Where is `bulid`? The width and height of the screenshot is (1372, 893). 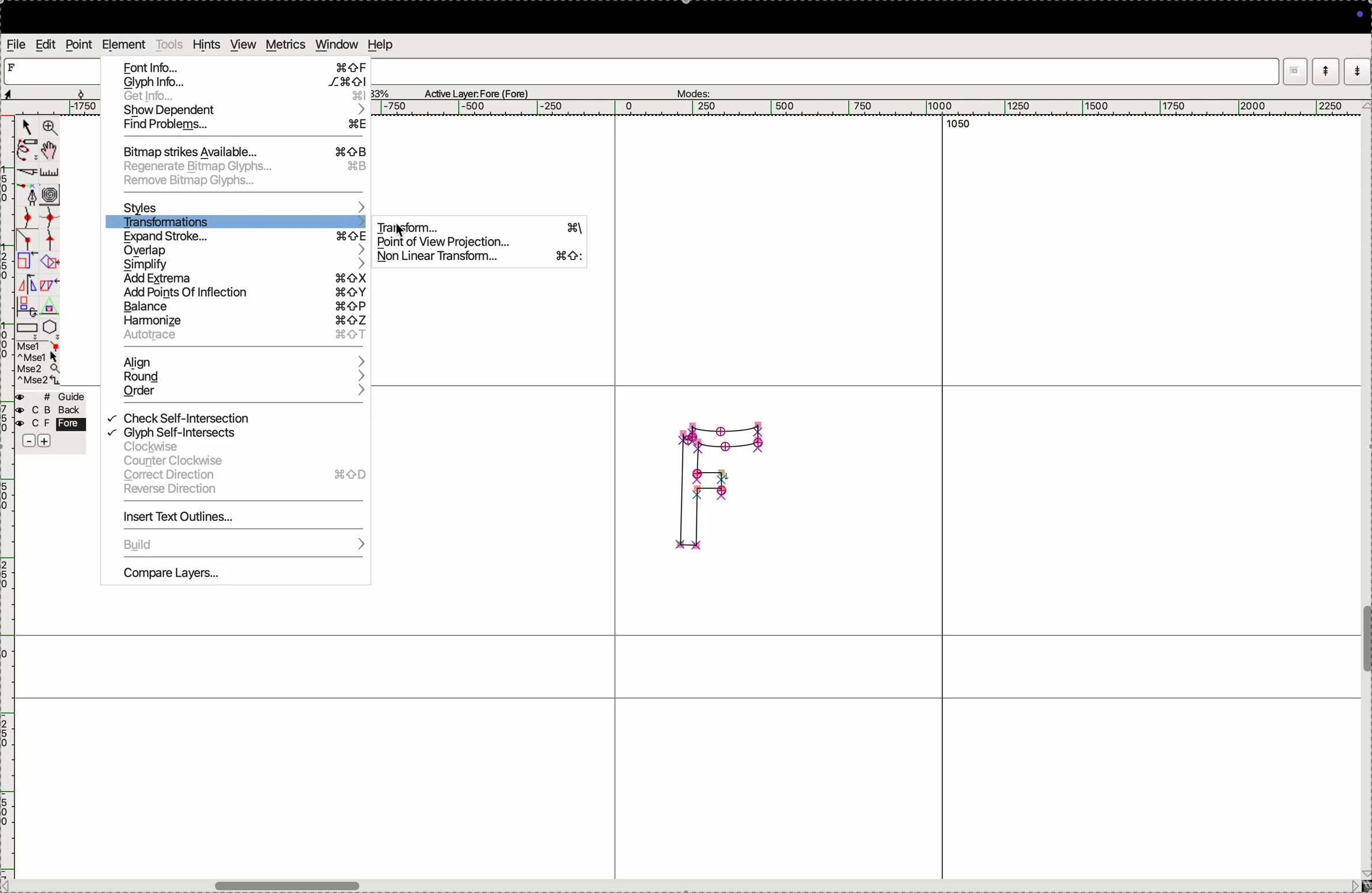
bulid is located at coordinates (235, 546).